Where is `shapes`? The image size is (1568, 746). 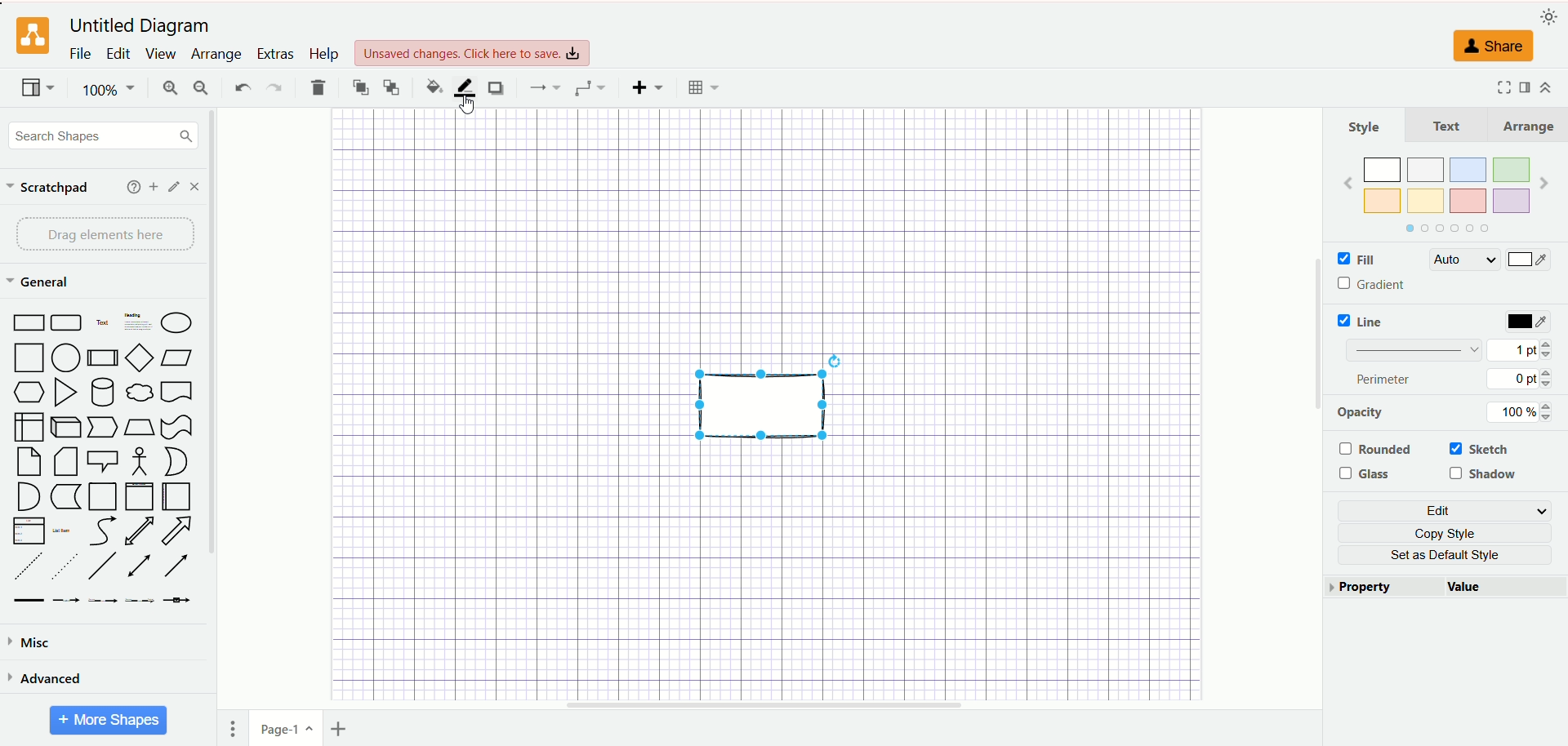
shapes is located at coordinates (102, 460).